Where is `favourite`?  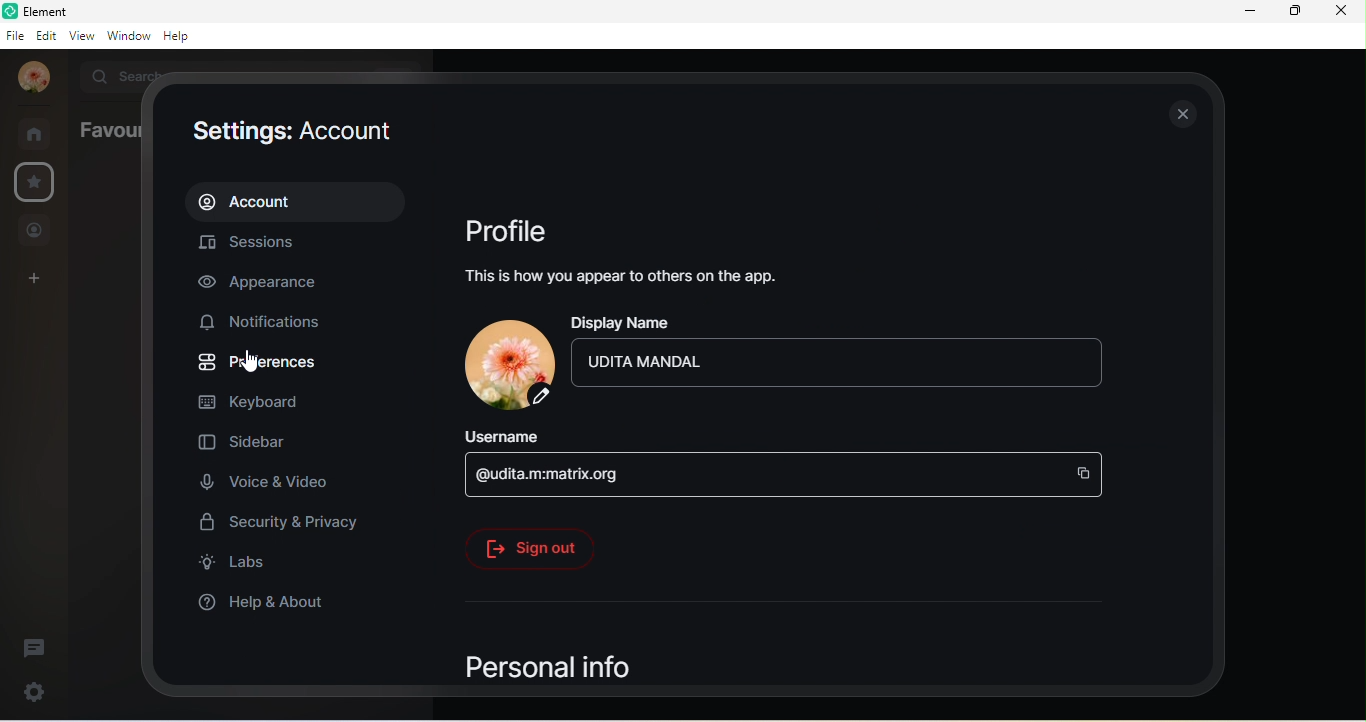 favourite is located at coordinates (36, 183).